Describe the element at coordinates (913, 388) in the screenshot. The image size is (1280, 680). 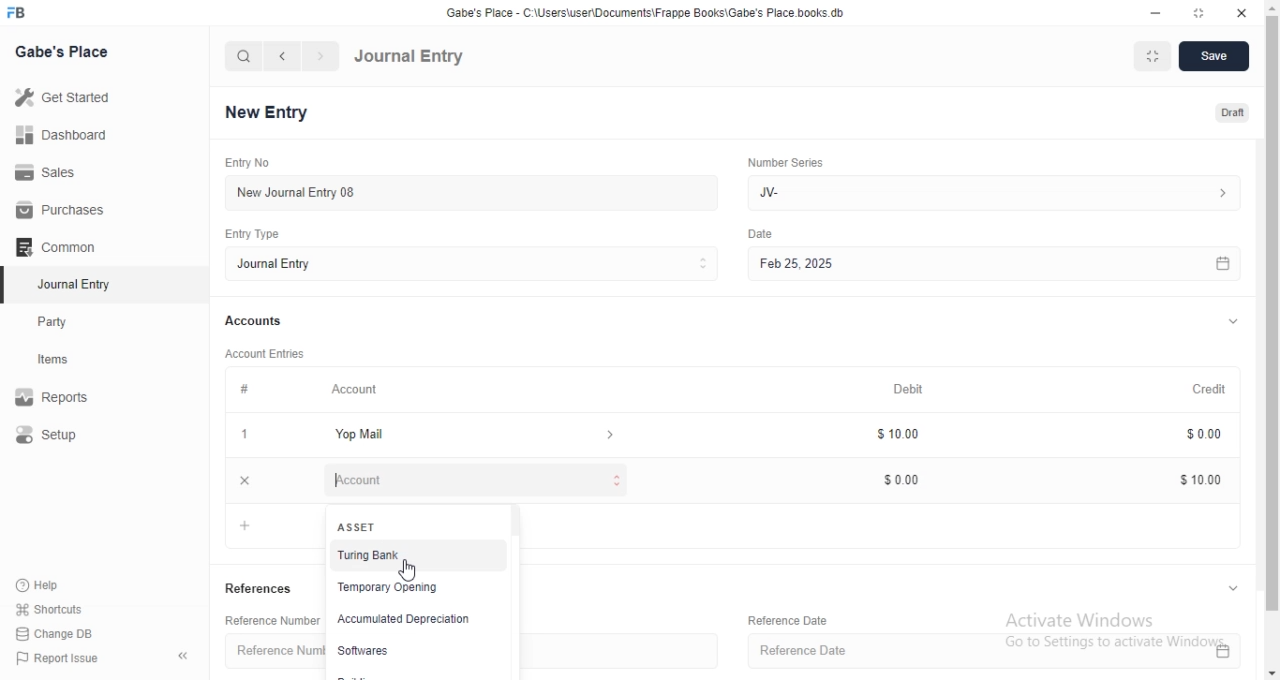
I see `Debit` at that location.